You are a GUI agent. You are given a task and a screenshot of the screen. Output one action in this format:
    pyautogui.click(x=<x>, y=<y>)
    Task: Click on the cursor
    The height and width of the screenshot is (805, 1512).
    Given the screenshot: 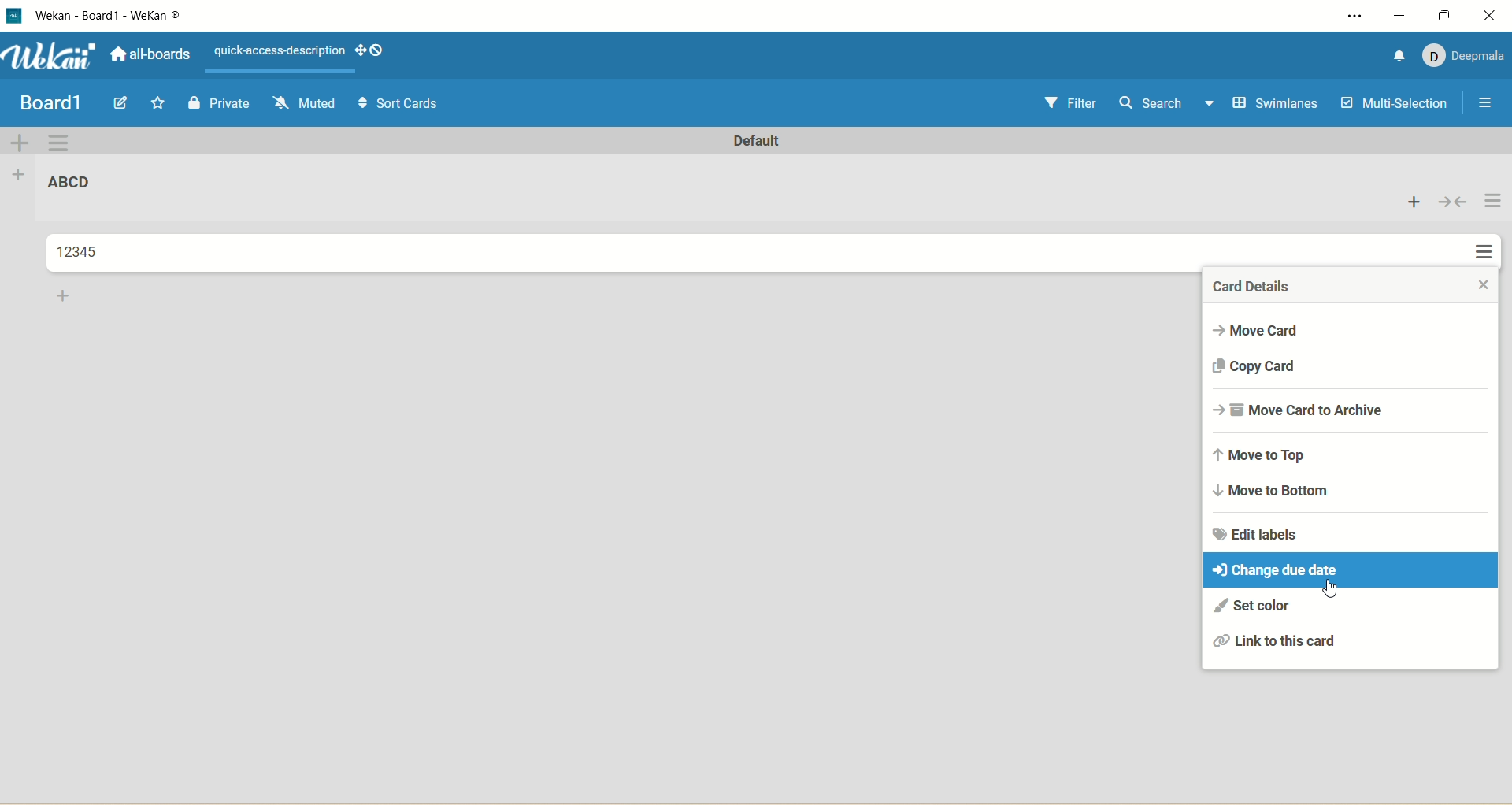 What is the action you would take?
    pyautogui.click(x=1336, y=592)
    